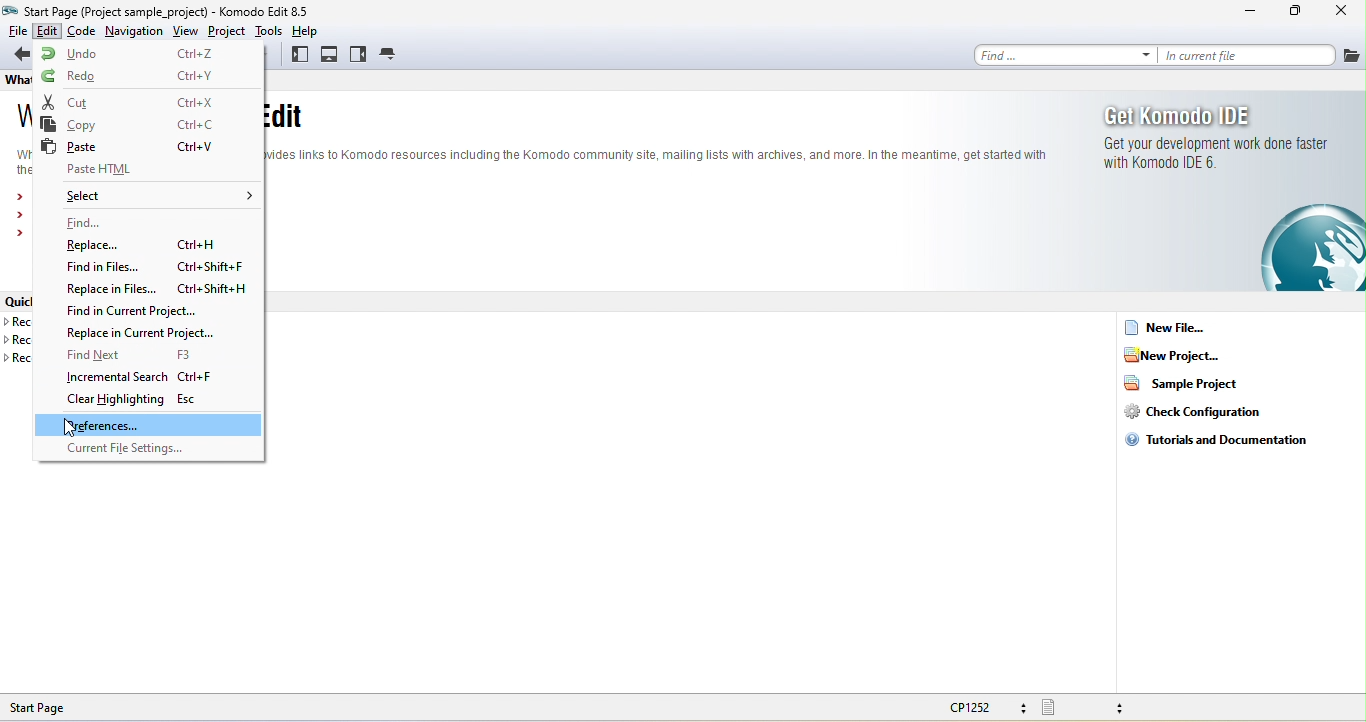 This screenshot has height=722, width=1366. Describe the element at coordinates (300, 56) in the screenshot. I see `left pane` at that location.